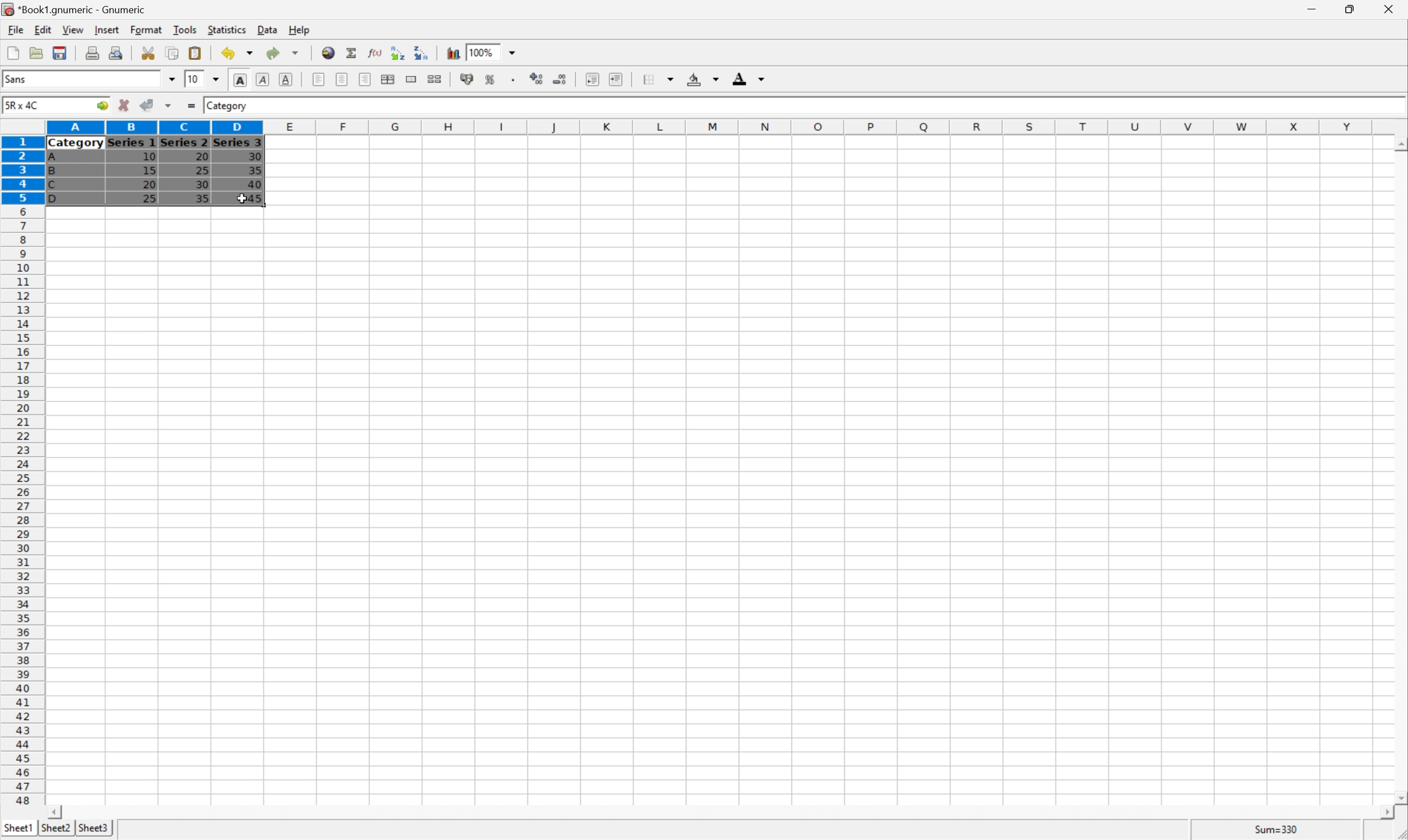  Describe the element at coordinates (52, 186) in the screenshot. I see `C` at that location.